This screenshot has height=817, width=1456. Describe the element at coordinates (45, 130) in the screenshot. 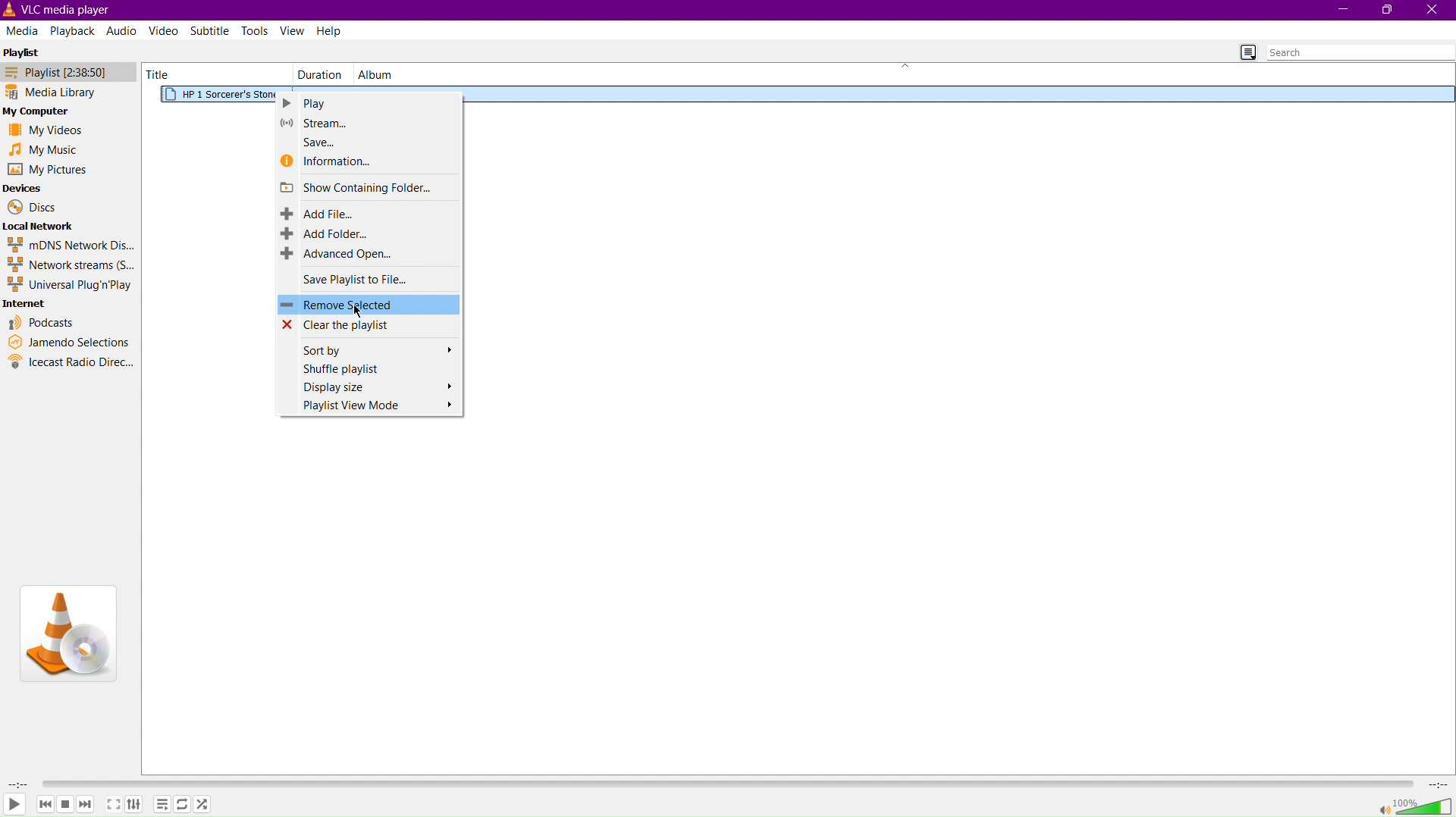

I see `My Videos` at that location.